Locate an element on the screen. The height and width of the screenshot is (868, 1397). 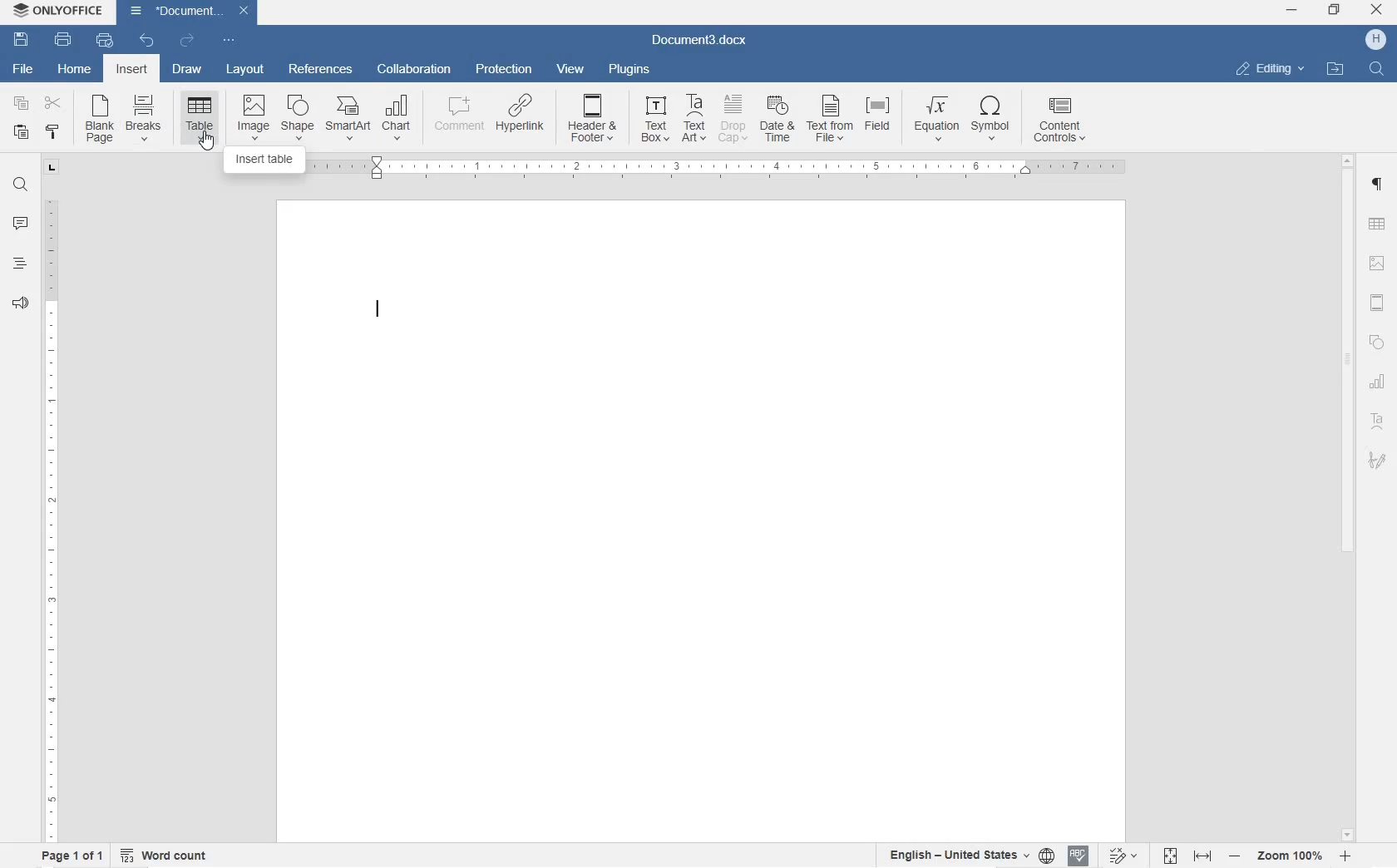
editing is located at coordinates (1271, 68).